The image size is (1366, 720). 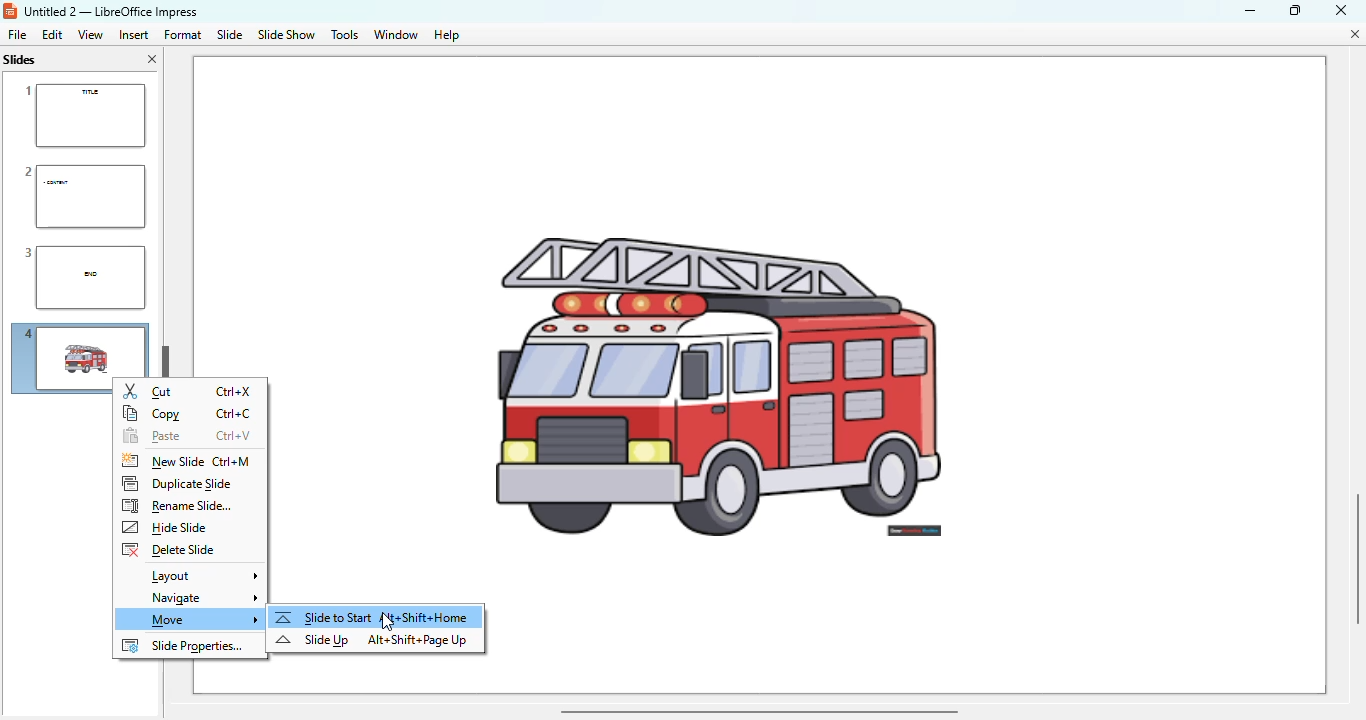 I want to click on format, so click(x=182, y=34).